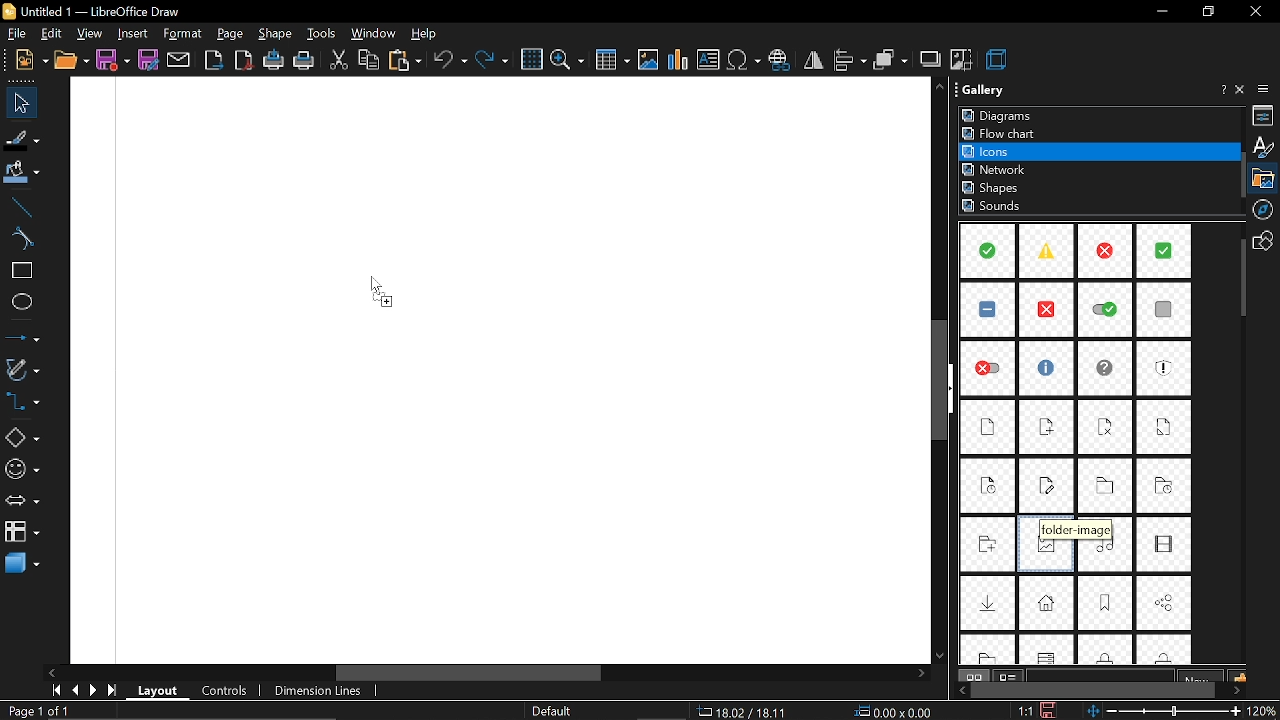  What do you see at coordinates (338, 61) in the screenshot?
I see `cut` at bounding box center [338, 61].